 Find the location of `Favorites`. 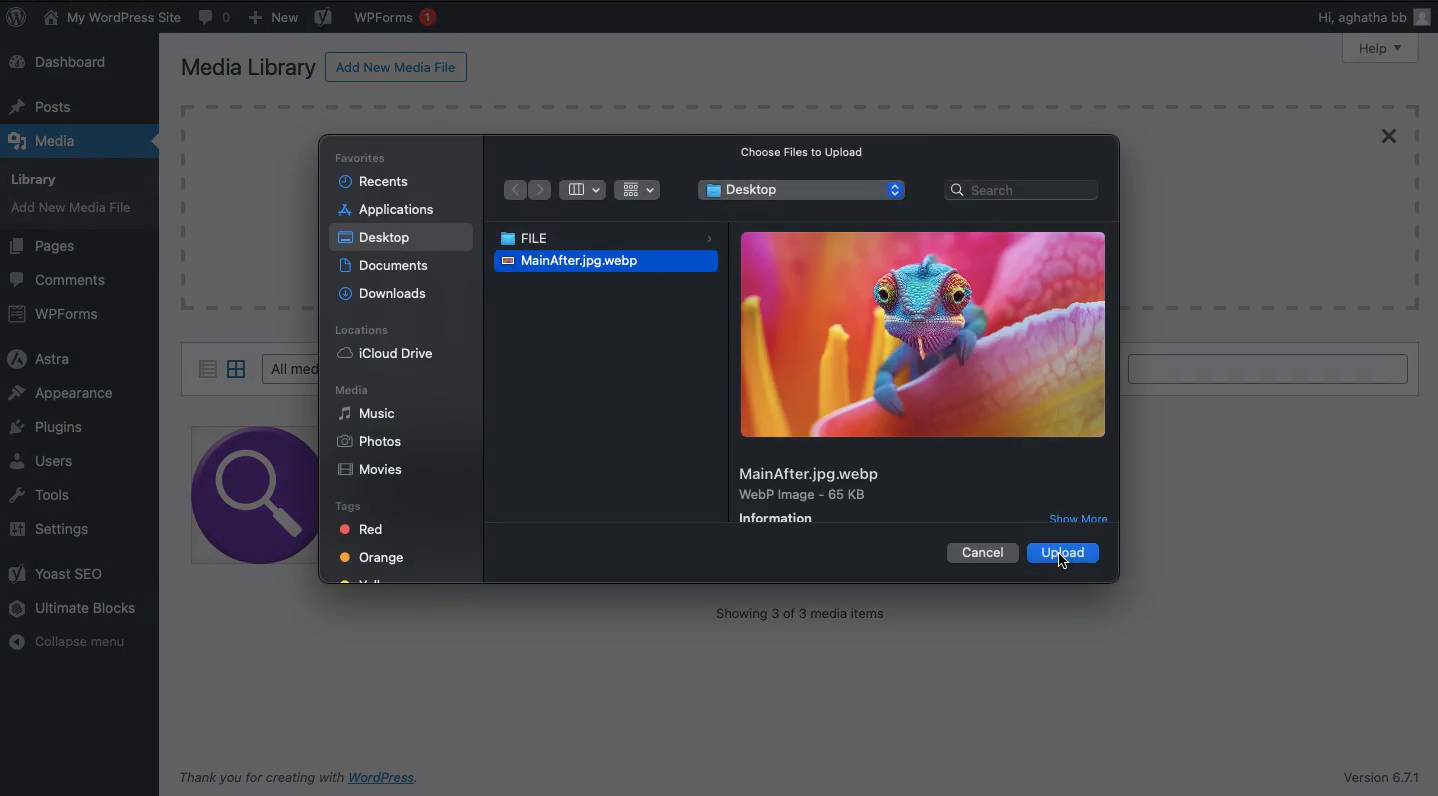

Favorites is located at coordinates (359, 160).